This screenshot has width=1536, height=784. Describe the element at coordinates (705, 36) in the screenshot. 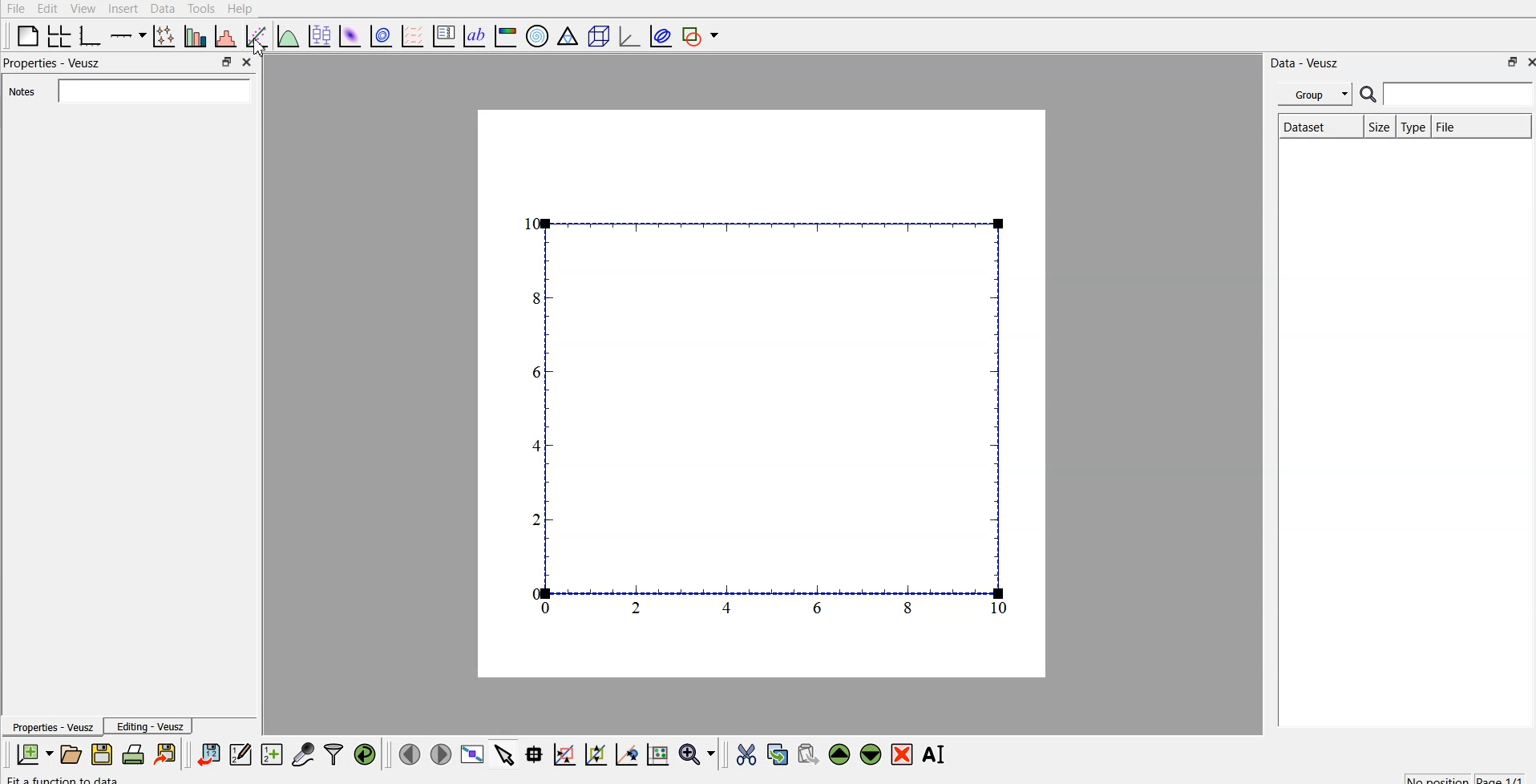

I see `add shape` at that location.